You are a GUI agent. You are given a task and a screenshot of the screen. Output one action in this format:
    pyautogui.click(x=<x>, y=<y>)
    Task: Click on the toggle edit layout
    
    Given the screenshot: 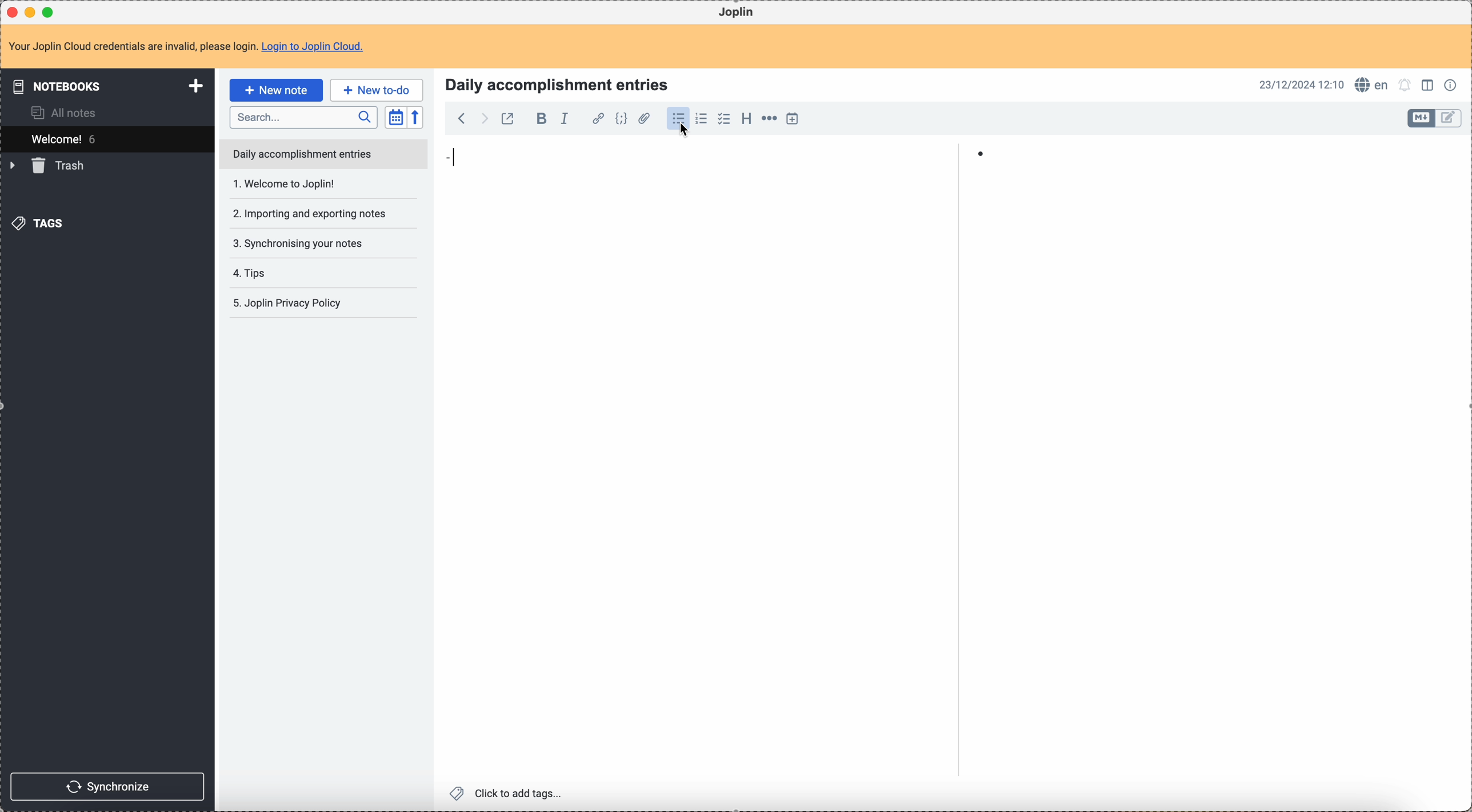 What is the action you would take?
    pyautogui.click(x=1422, y=118)
    